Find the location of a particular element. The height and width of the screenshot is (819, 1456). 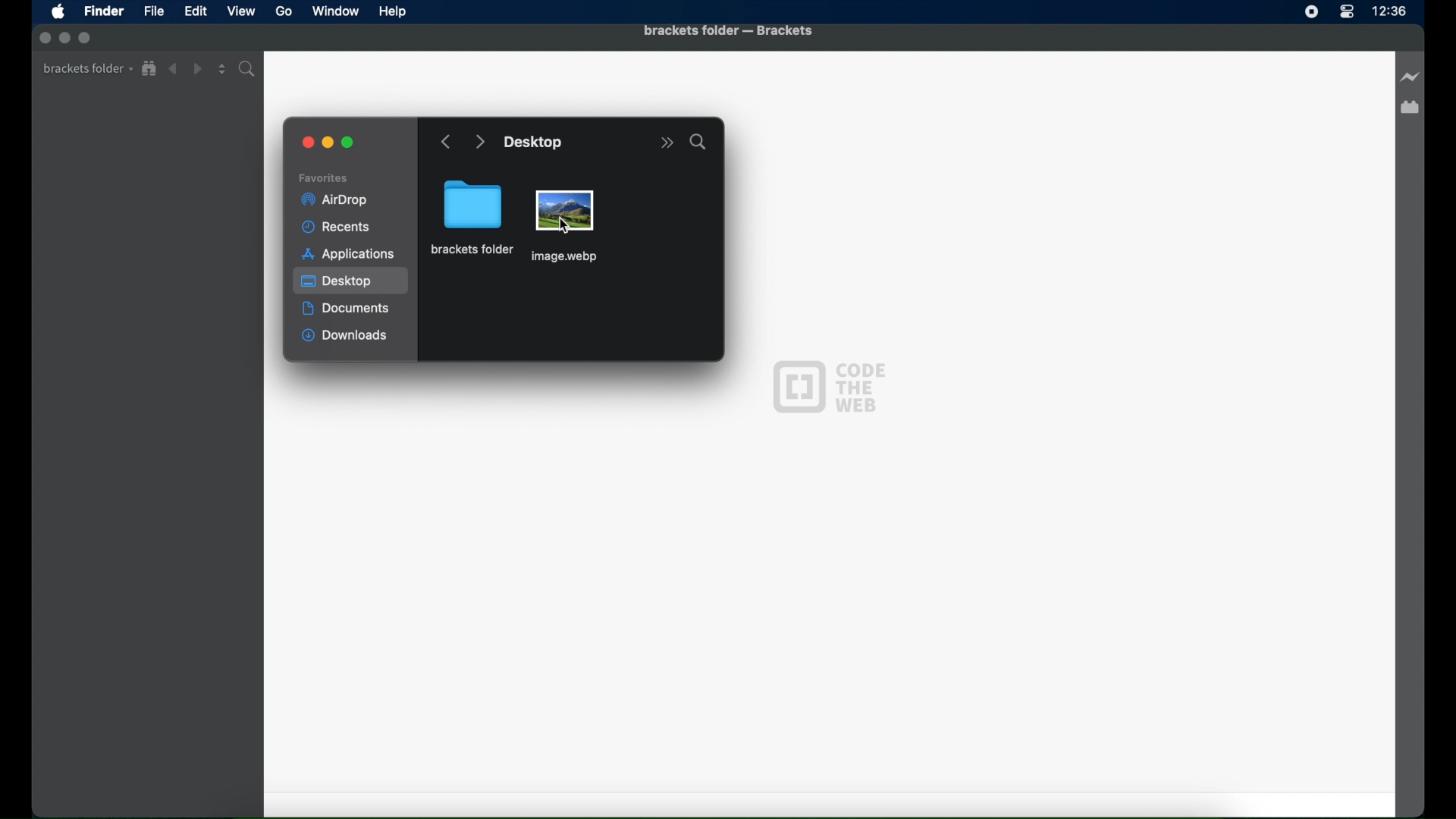

brackets folder - brackets is located at coordinates (728, 32).